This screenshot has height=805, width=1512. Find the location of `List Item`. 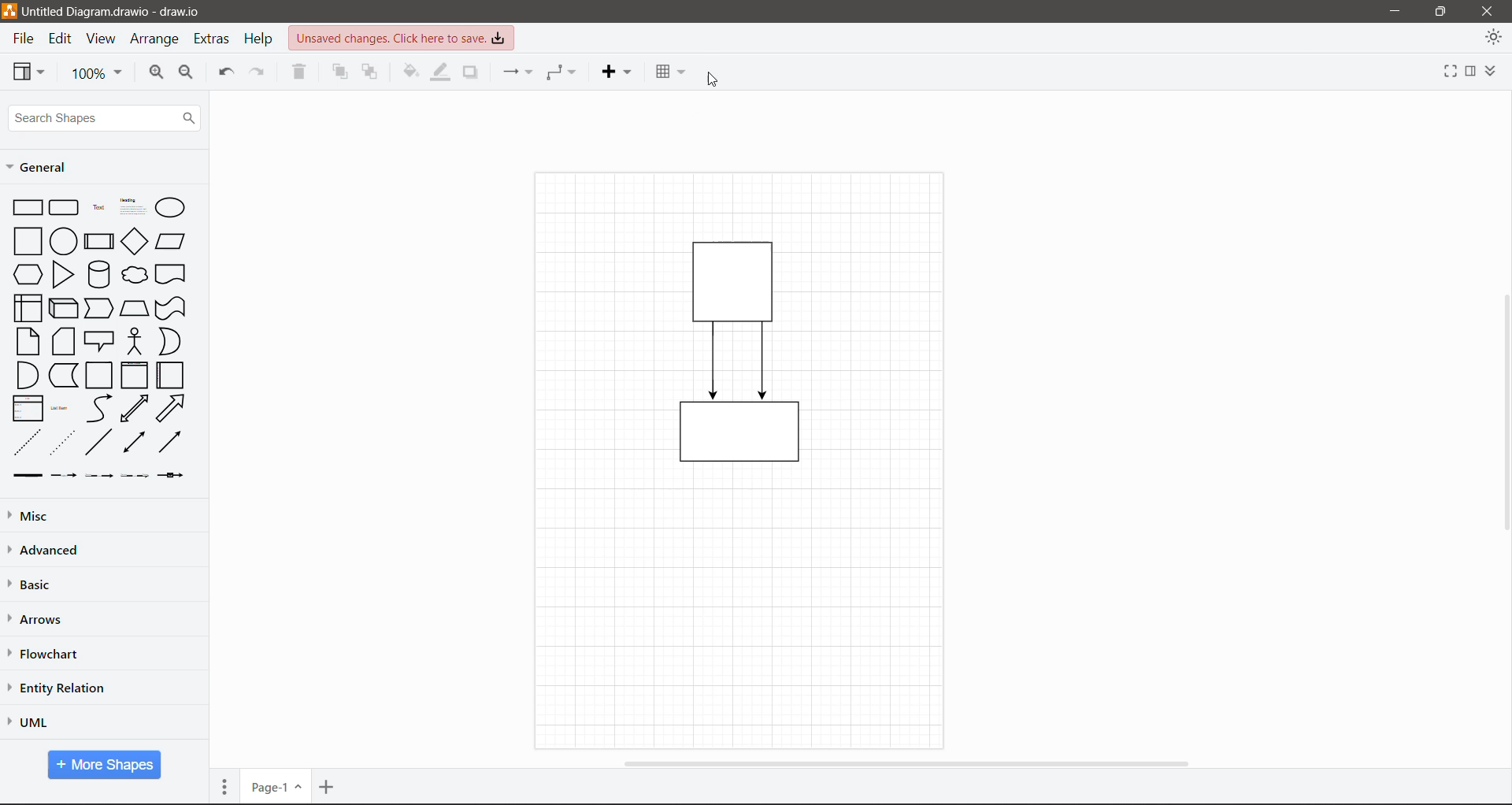

List Item is located at coordinates (61, 409).